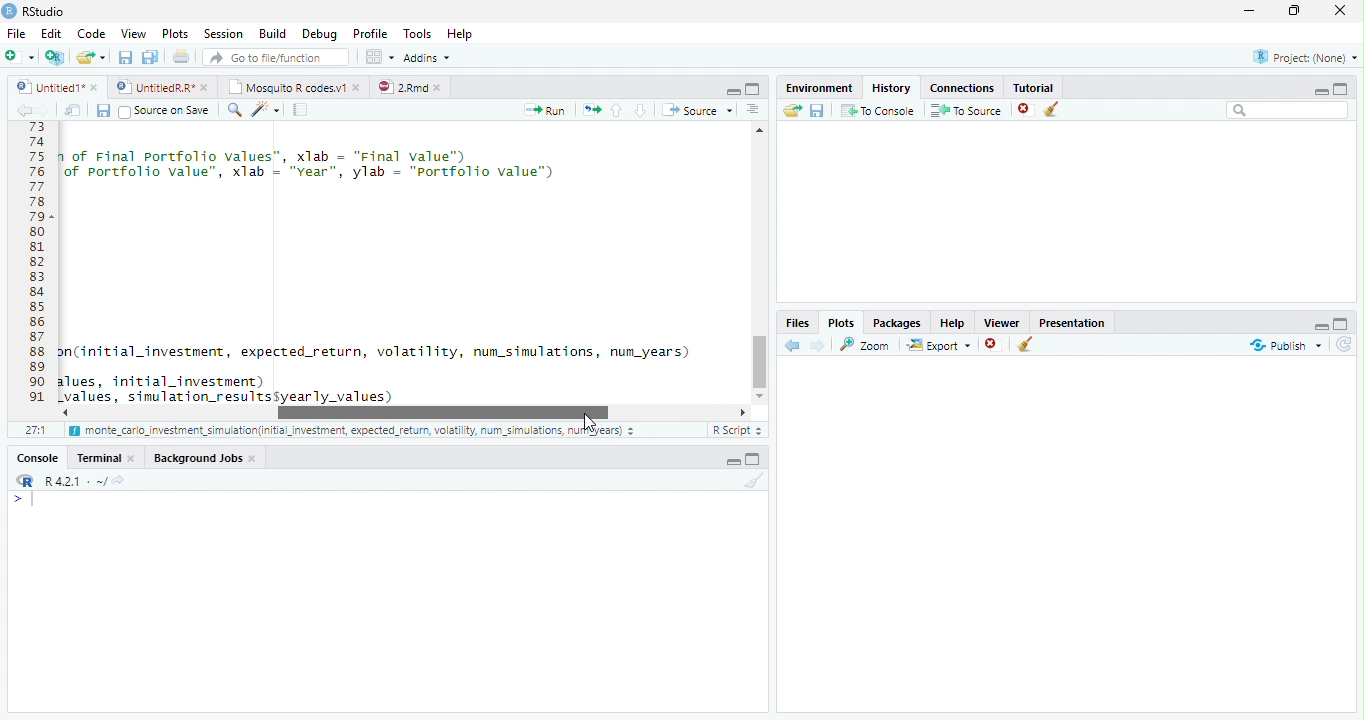 This screenshot has height=720, width=1364. Describe the element at coordinates (54, 57) in the screenshot. I see `Create project` at that location.